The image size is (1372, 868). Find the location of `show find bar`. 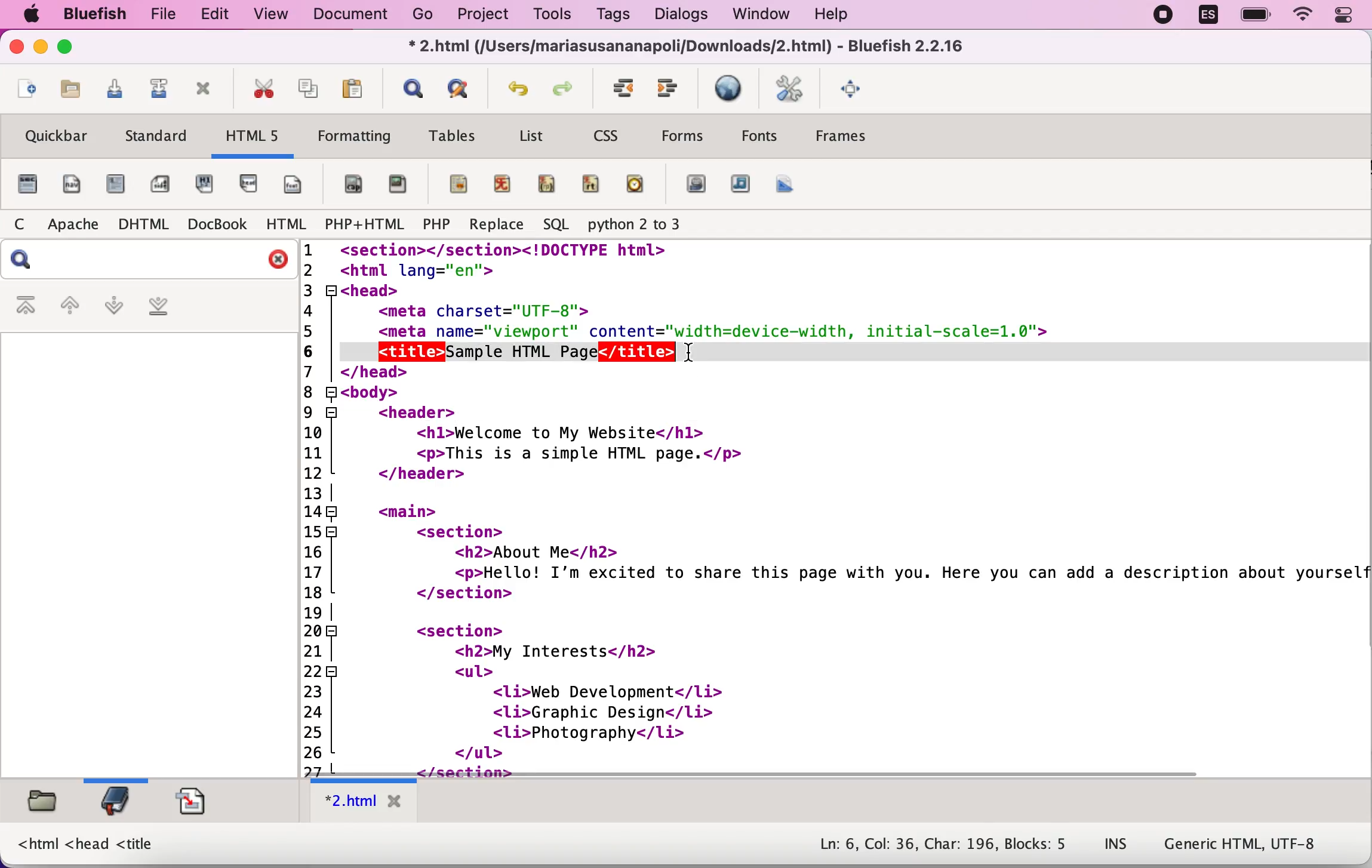

show find bar is located at coordinates (411, 89).